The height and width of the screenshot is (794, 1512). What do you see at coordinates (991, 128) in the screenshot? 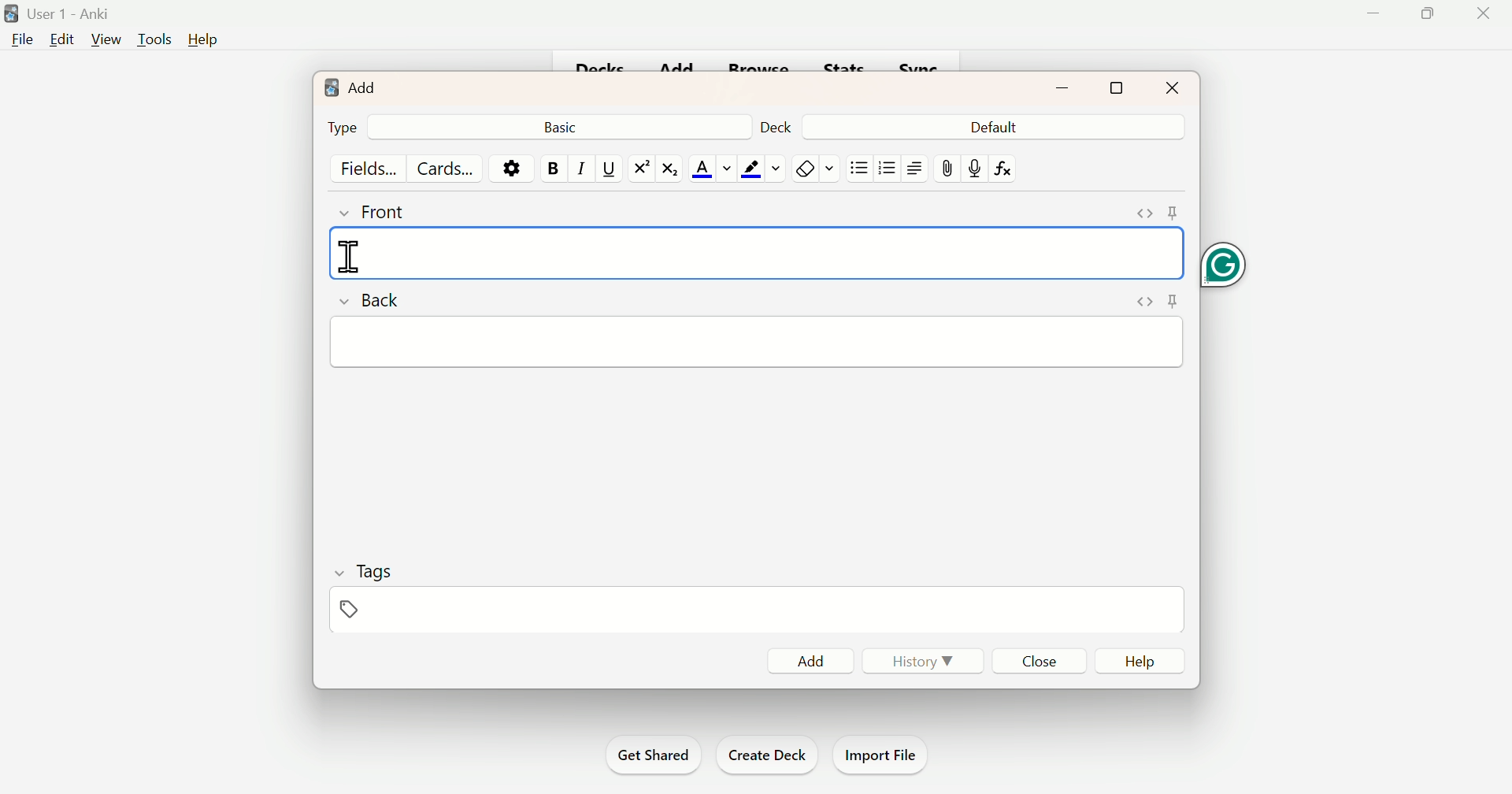
I see `Default` at bounding box center [991, 128].